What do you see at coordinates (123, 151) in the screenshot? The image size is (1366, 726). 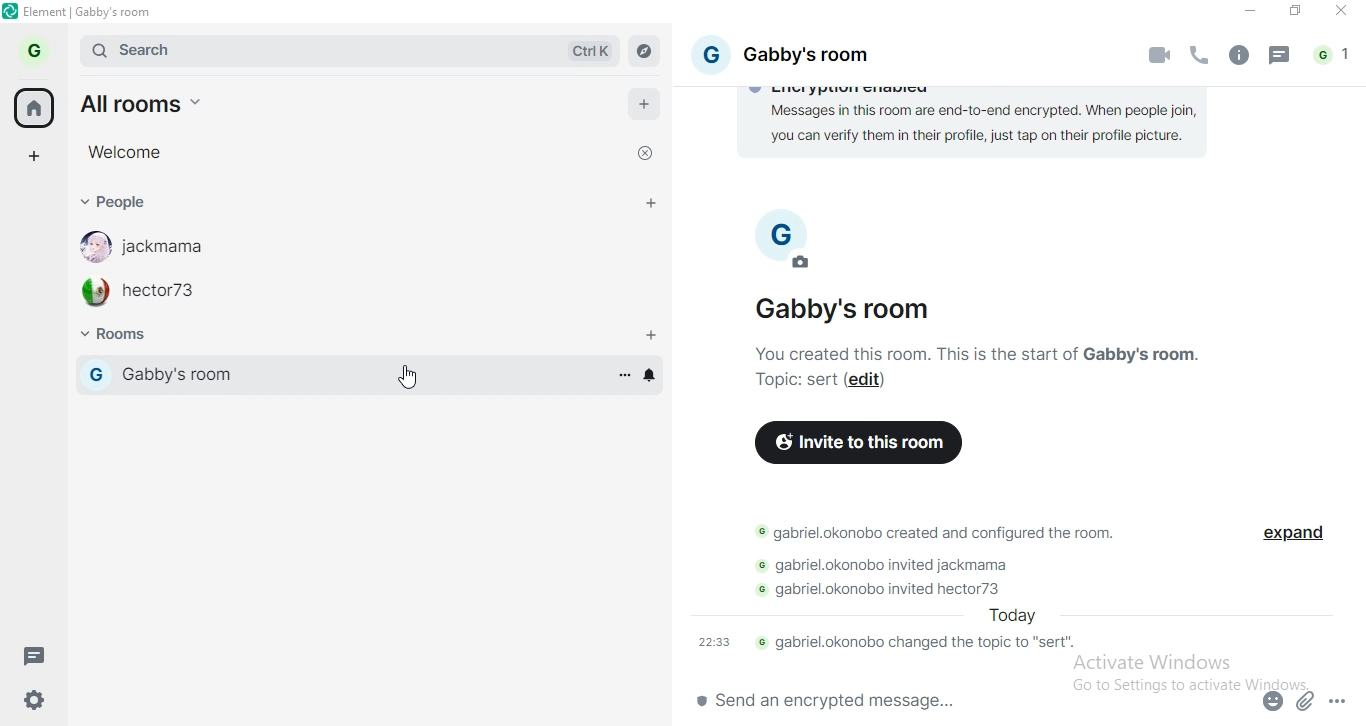 I see `welcome` at bounding box center [123, 151].